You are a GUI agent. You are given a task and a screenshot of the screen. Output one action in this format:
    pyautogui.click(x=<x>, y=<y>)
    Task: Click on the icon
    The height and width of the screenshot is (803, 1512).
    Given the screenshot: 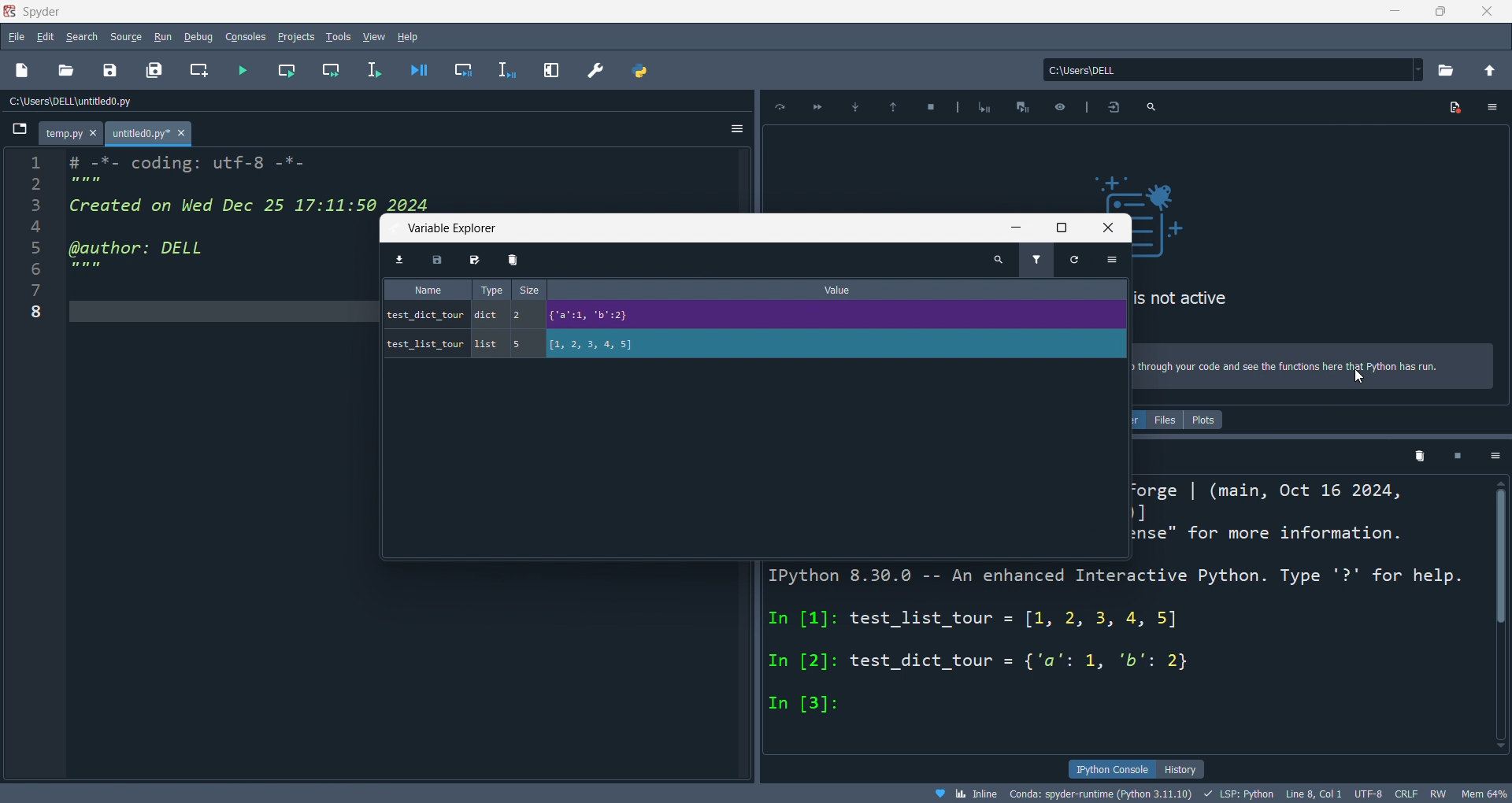 What is the action you would take?
    pyautogui.click(x=1455, y=107)
    